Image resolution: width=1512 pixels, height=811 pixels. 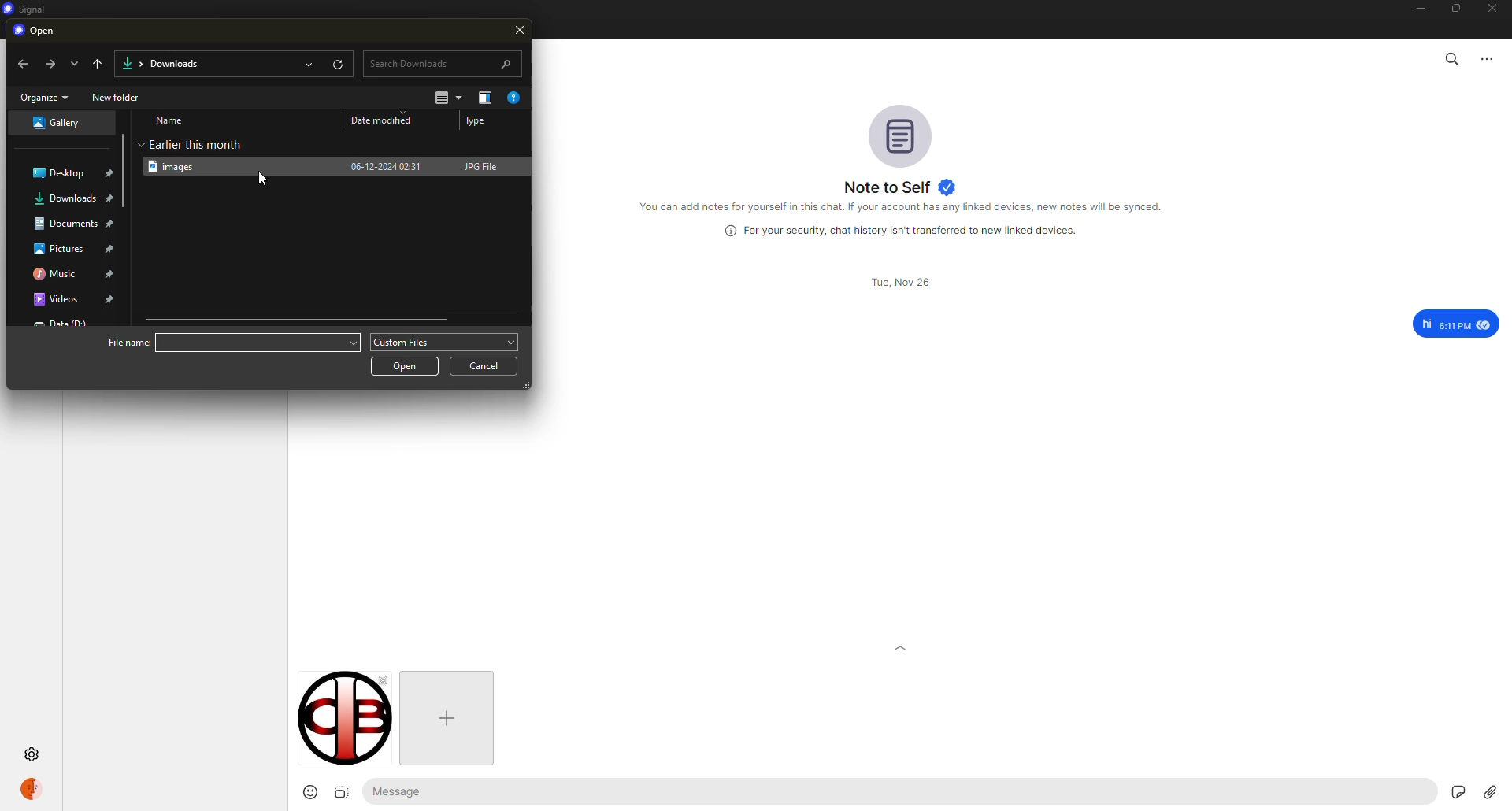 What do you see at coordinates (488, 365) in the screenshot?
I see `cancel` at bounding box center [488, 365].